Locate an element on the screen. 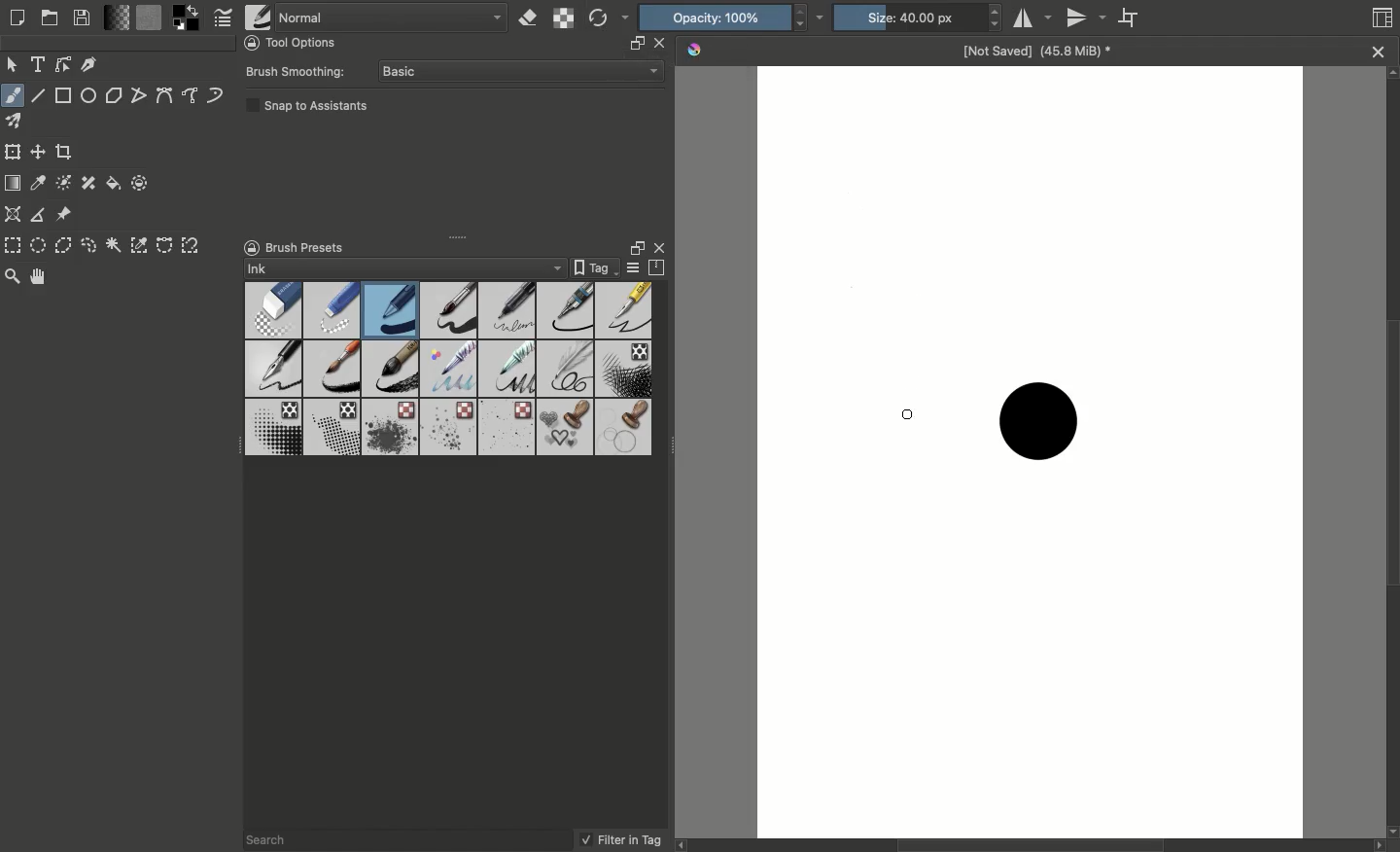 The image size is (1400, 852). Filter in tag is located at coordinates (620, 840).